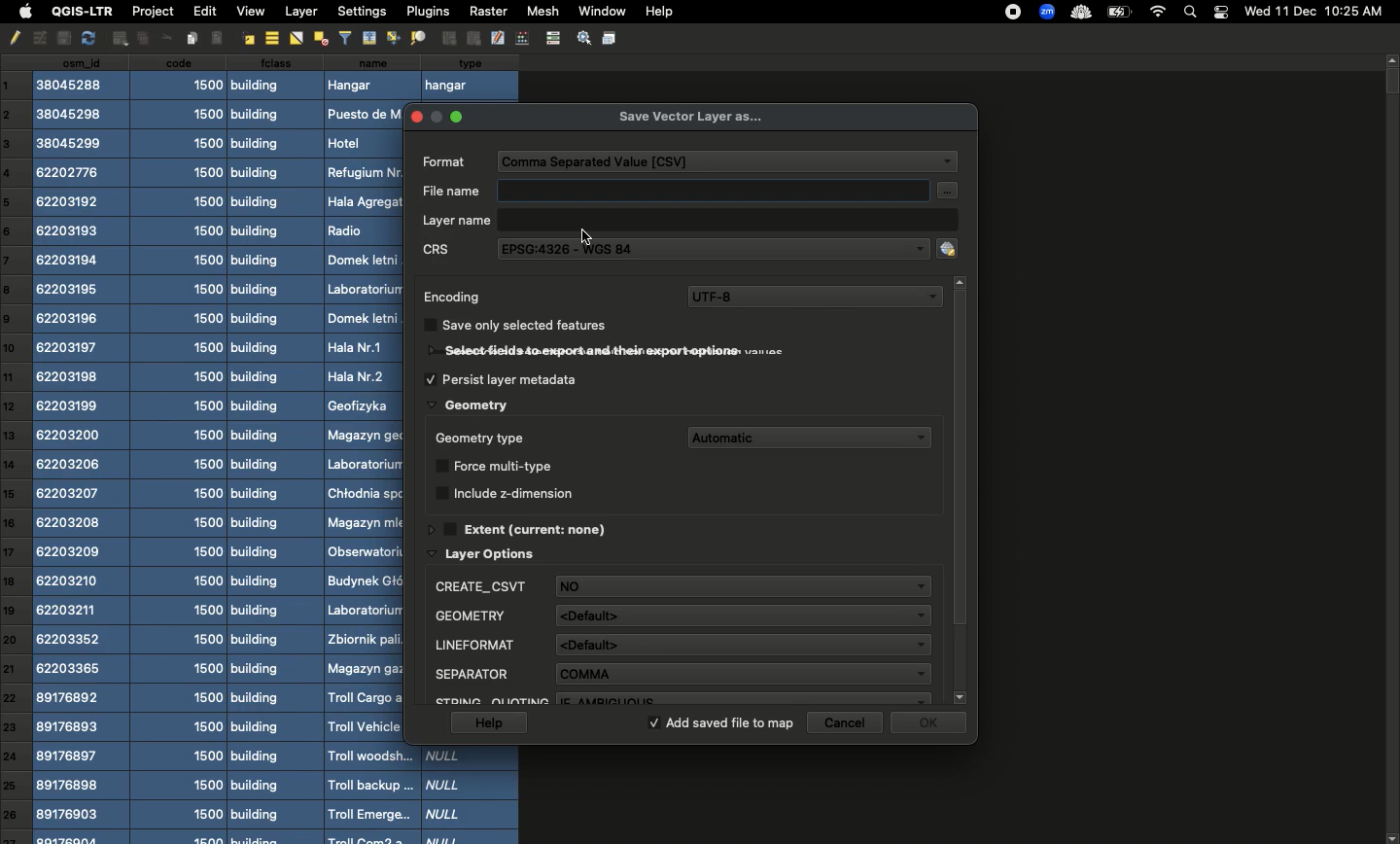 The height and width of the screenshot is (844, 1400). What do you see at coordinates (599, 10) in the screenshot?
I see `Window` at bounding box center [599, 10].